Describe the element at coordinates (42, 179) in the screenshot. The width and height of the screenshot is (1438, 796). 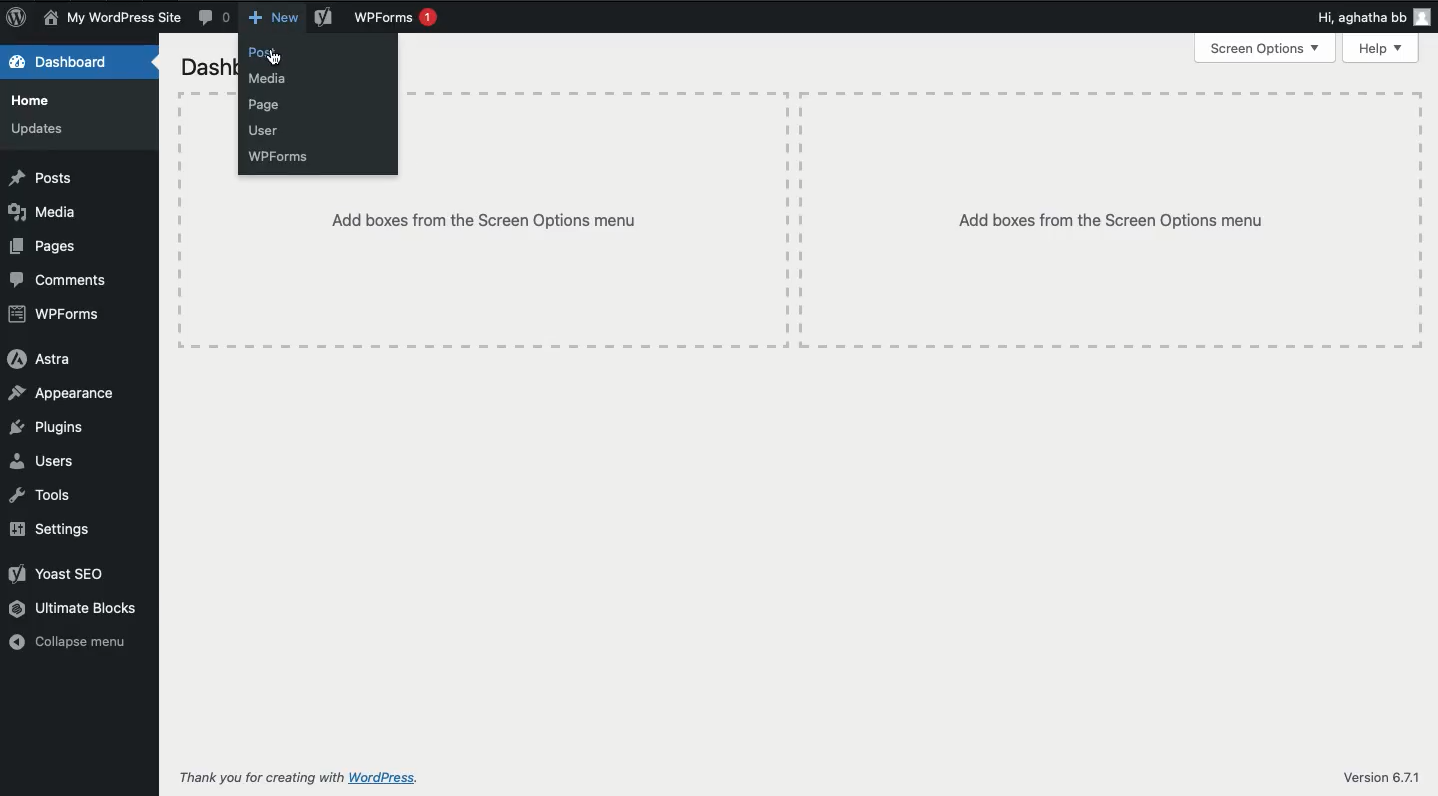
I see `Posts` at that location.